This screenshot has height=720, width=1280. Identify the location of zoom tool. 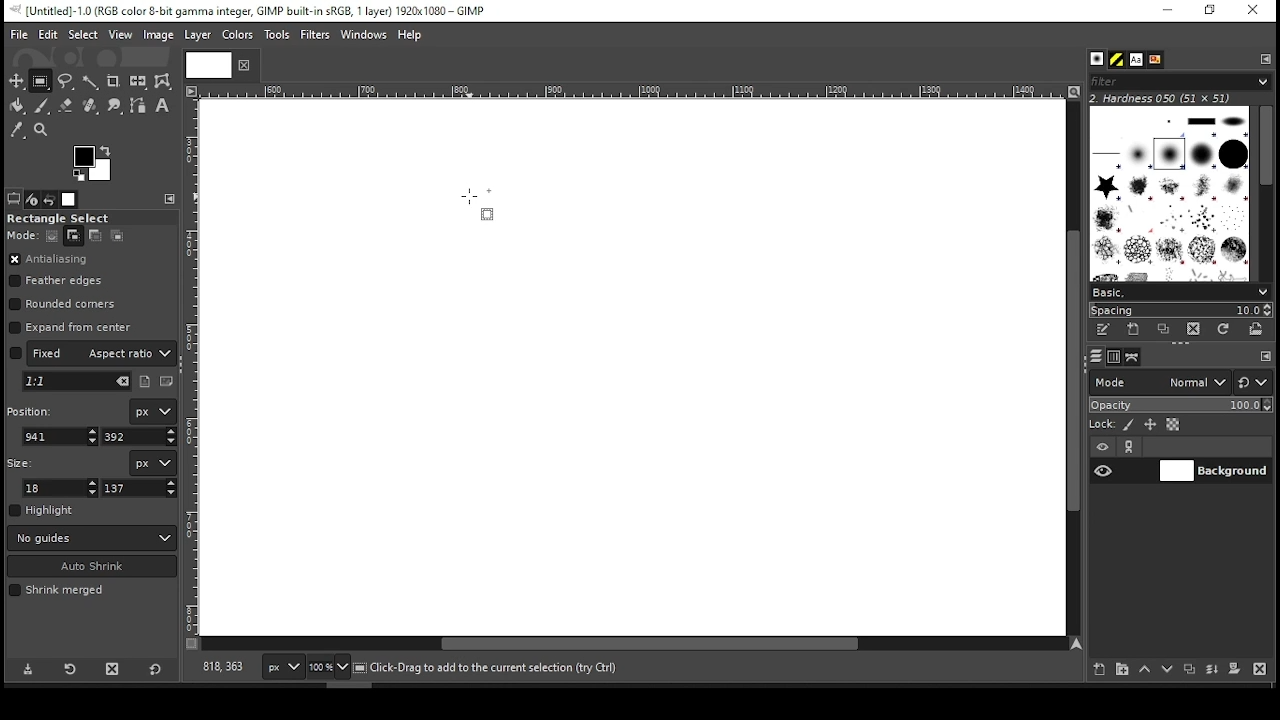
(42, 131).